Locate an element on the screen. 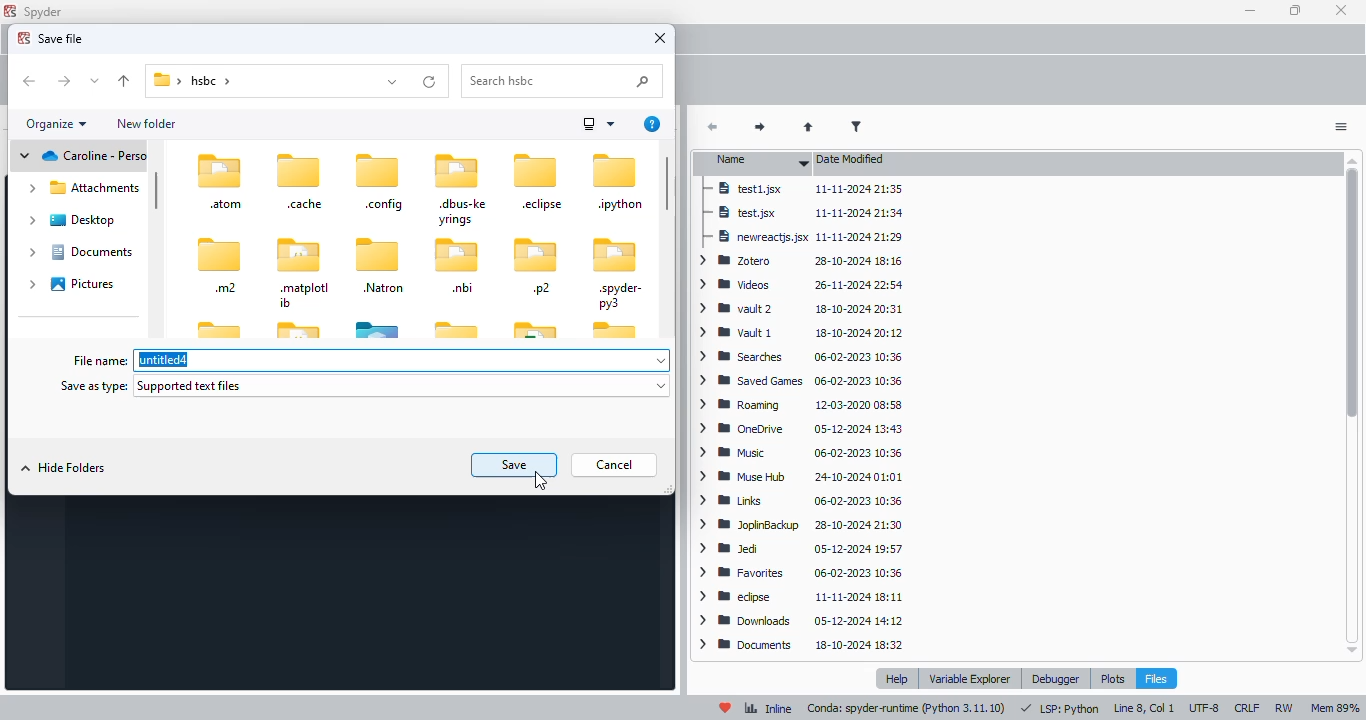  oneDrive is located at coordinates (740, 428).